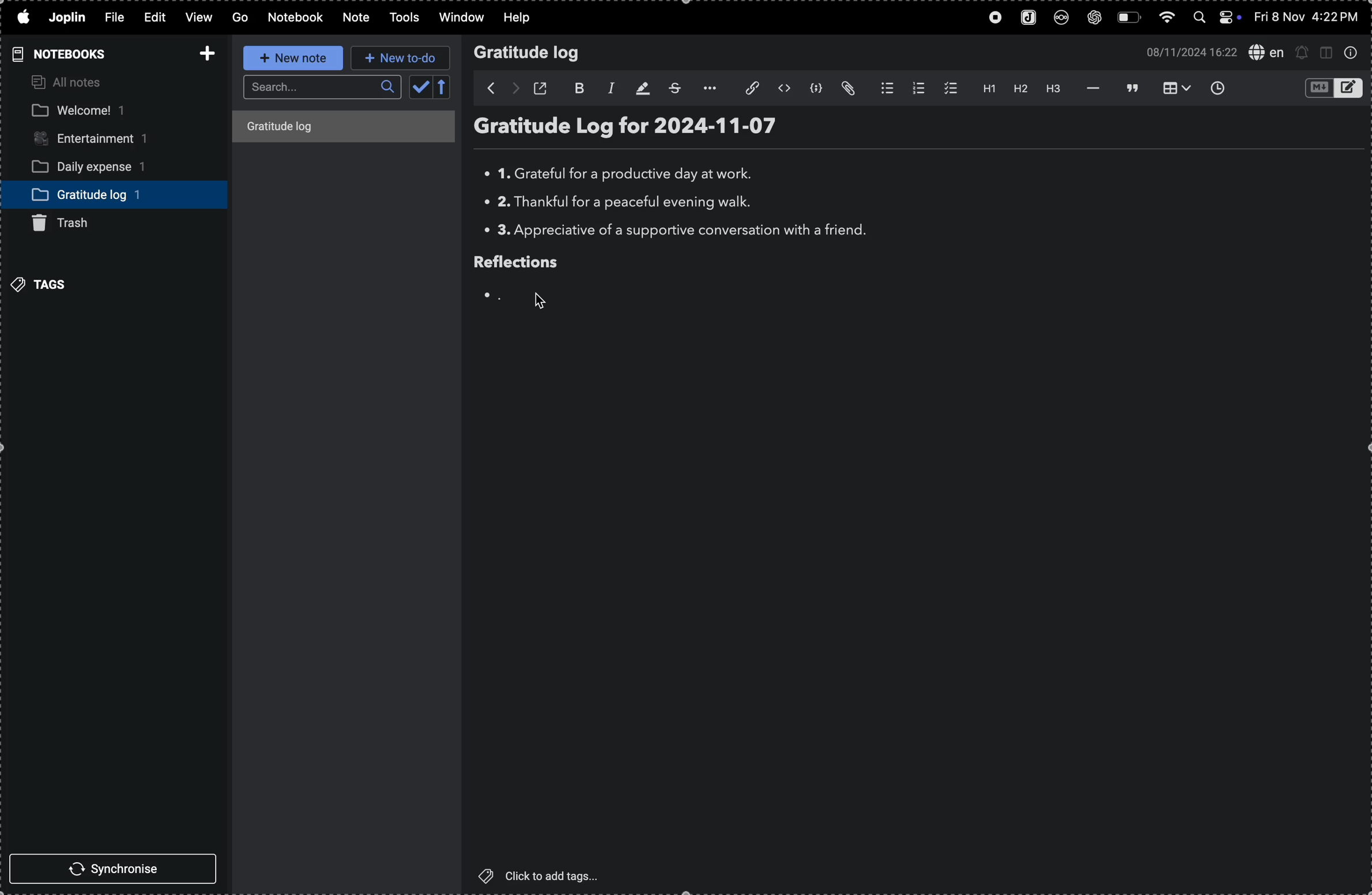 This screenshot has height=895, width=1372. I want to click on nextcloud, so click(1063, 17).